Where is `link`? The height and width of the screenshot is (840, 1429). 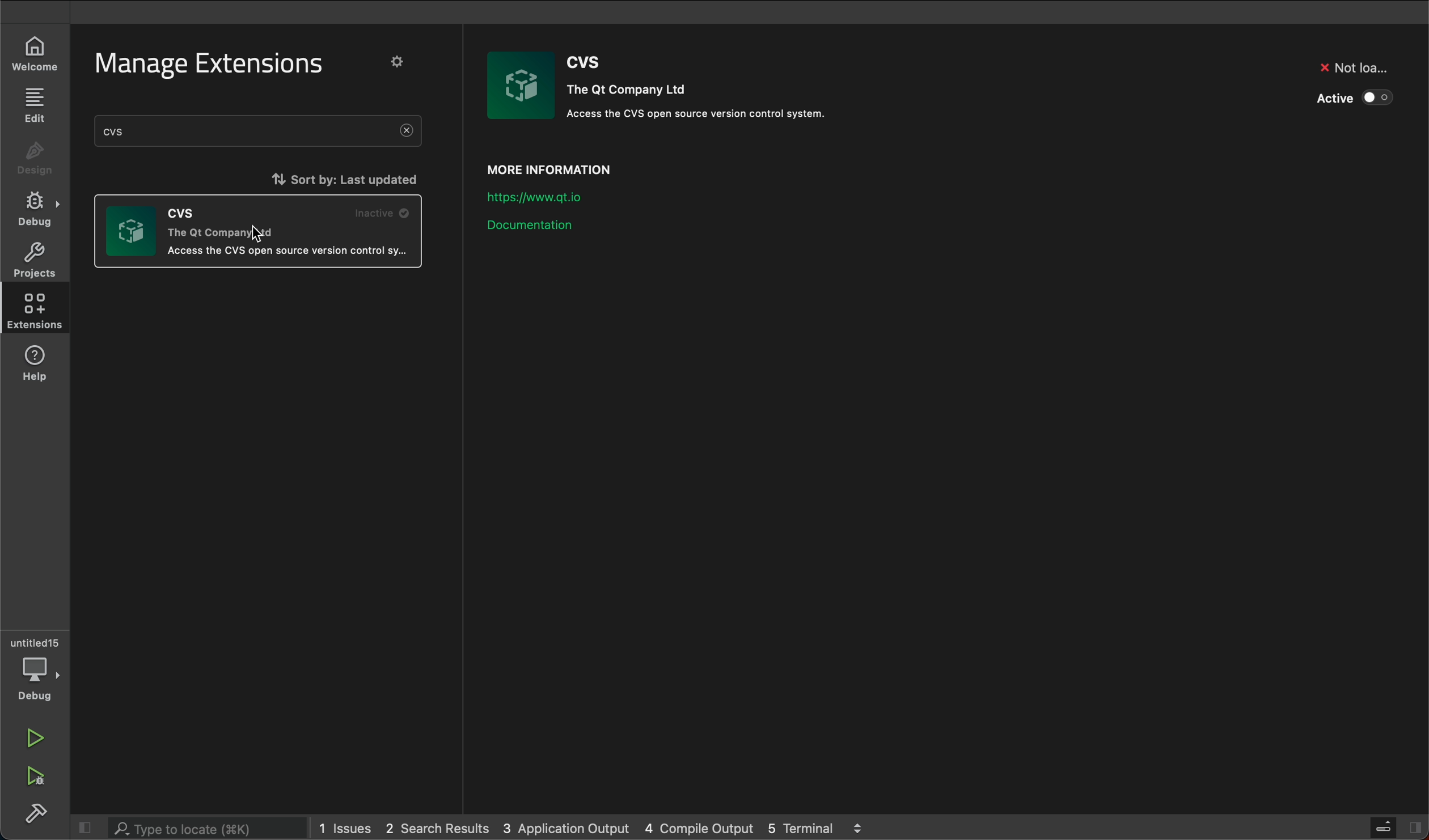
link is located at coordinates (562, 197).